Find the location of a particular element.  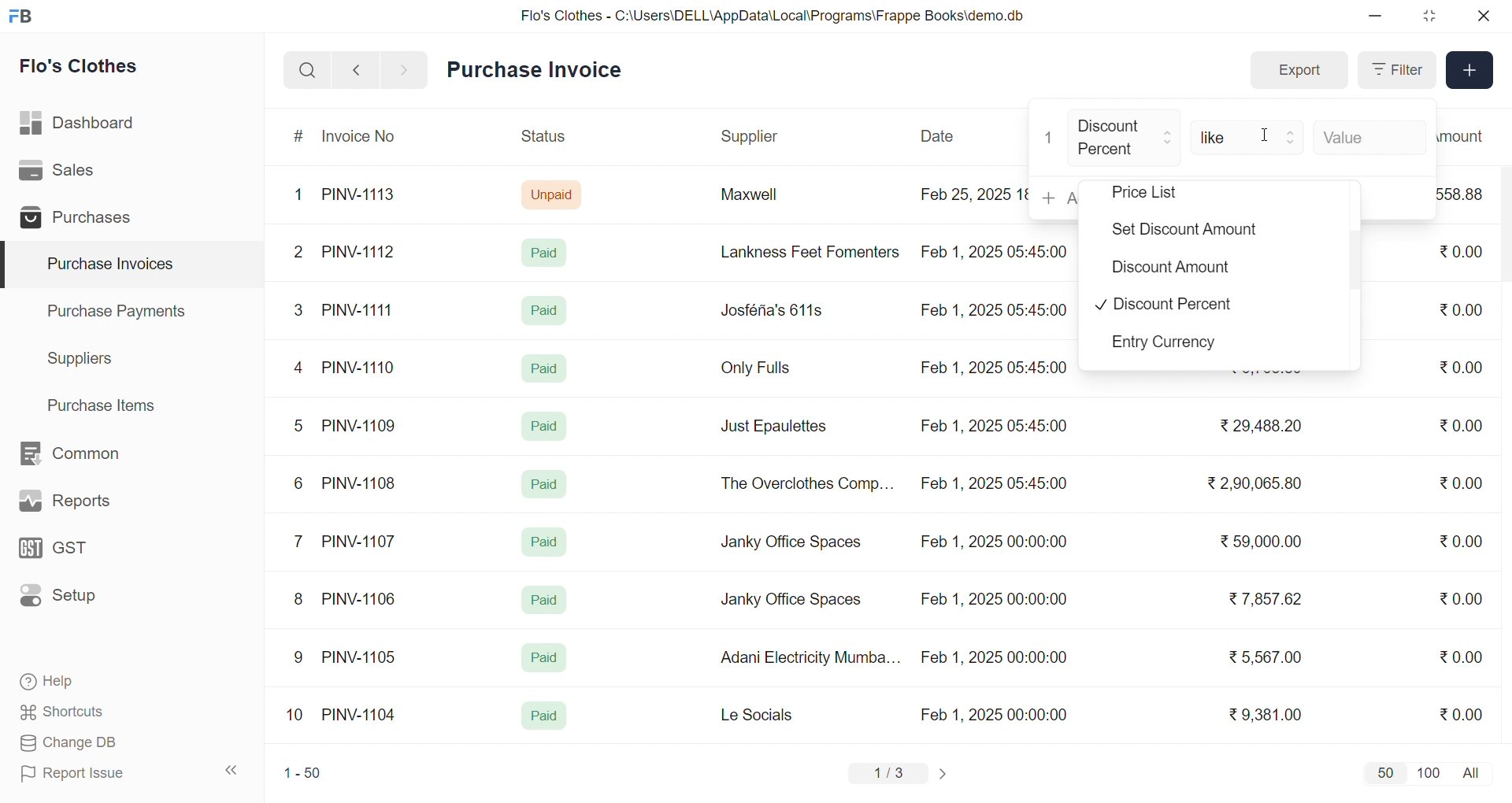

Purchases is located at coordinates (81, 220).